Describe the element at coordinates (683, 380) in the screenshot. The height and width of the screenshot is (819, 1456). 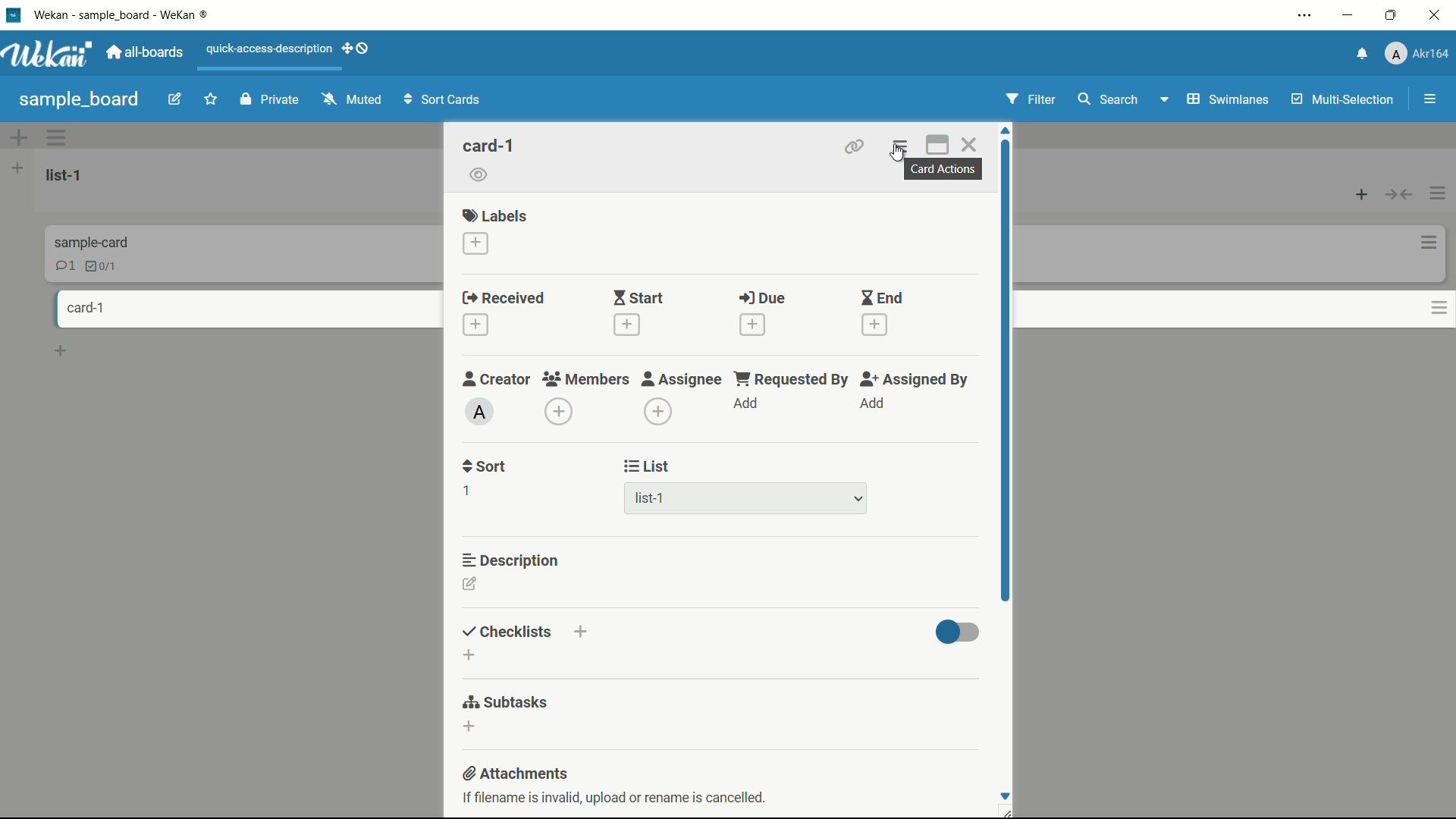
I see `assignee` at that location.